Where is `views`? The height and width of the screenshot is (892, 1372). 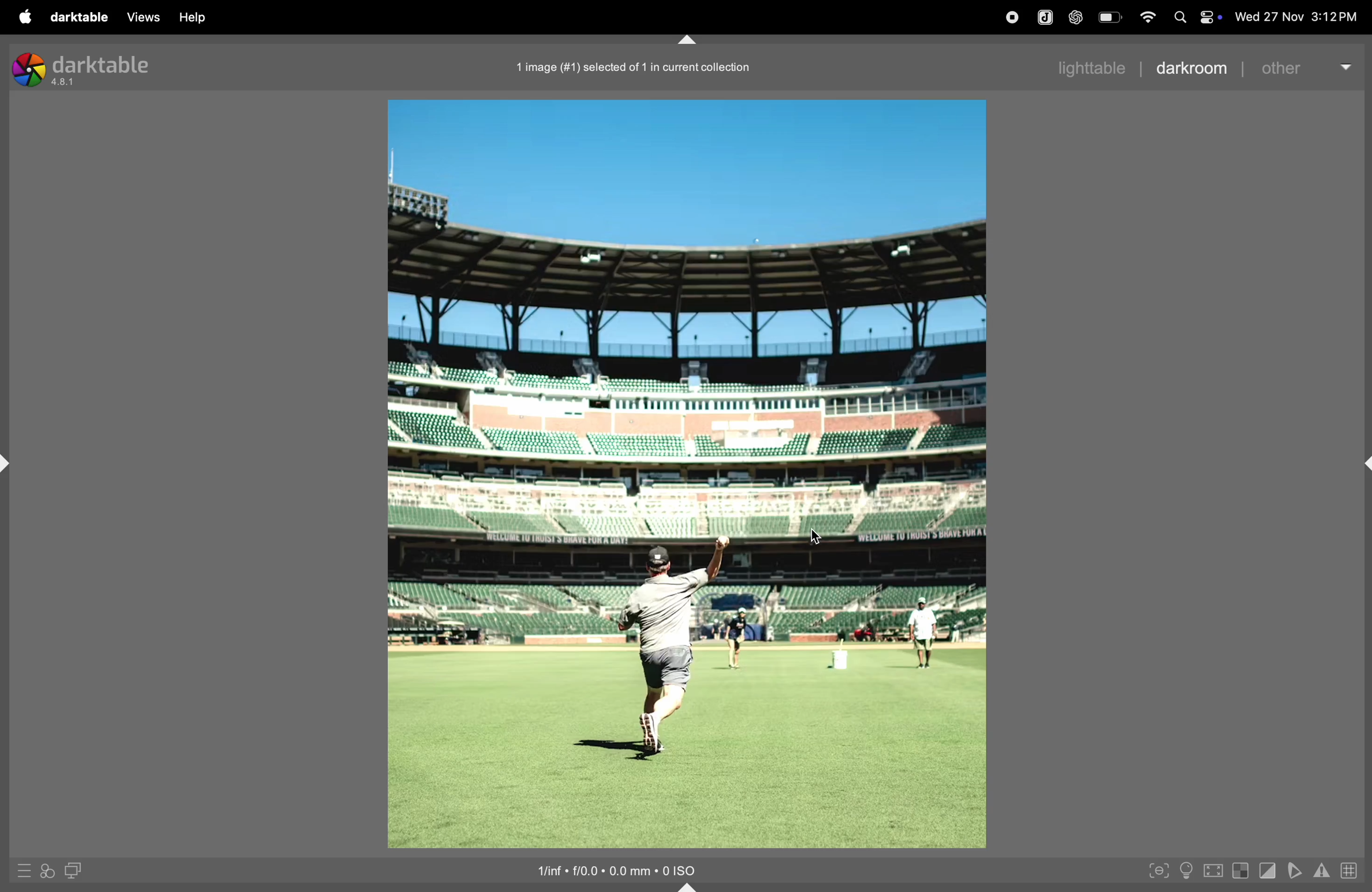 views is located at coordinates (142, 17).